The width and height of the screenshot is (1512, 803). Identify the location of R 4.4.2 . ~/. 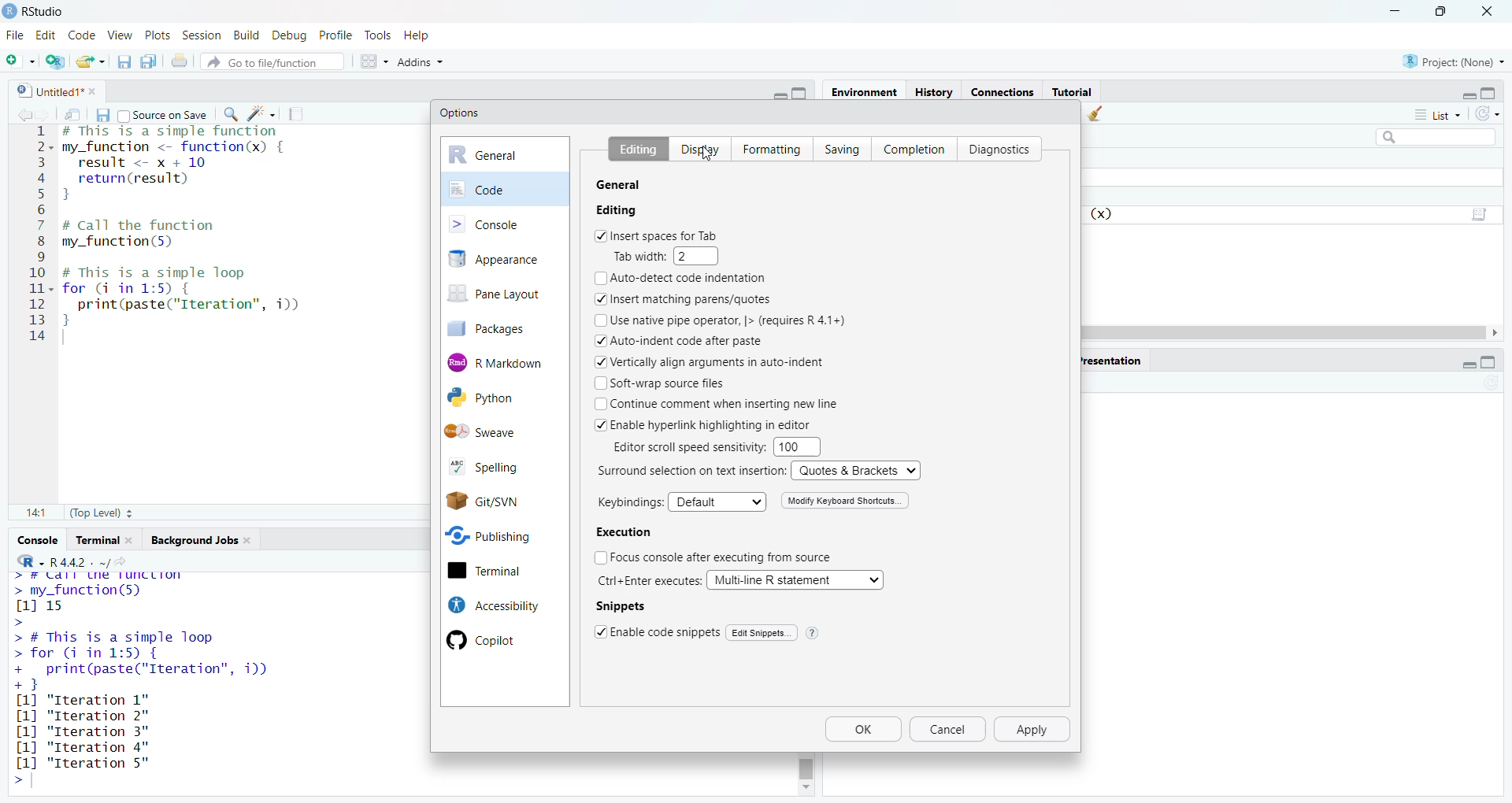
(80, 561).